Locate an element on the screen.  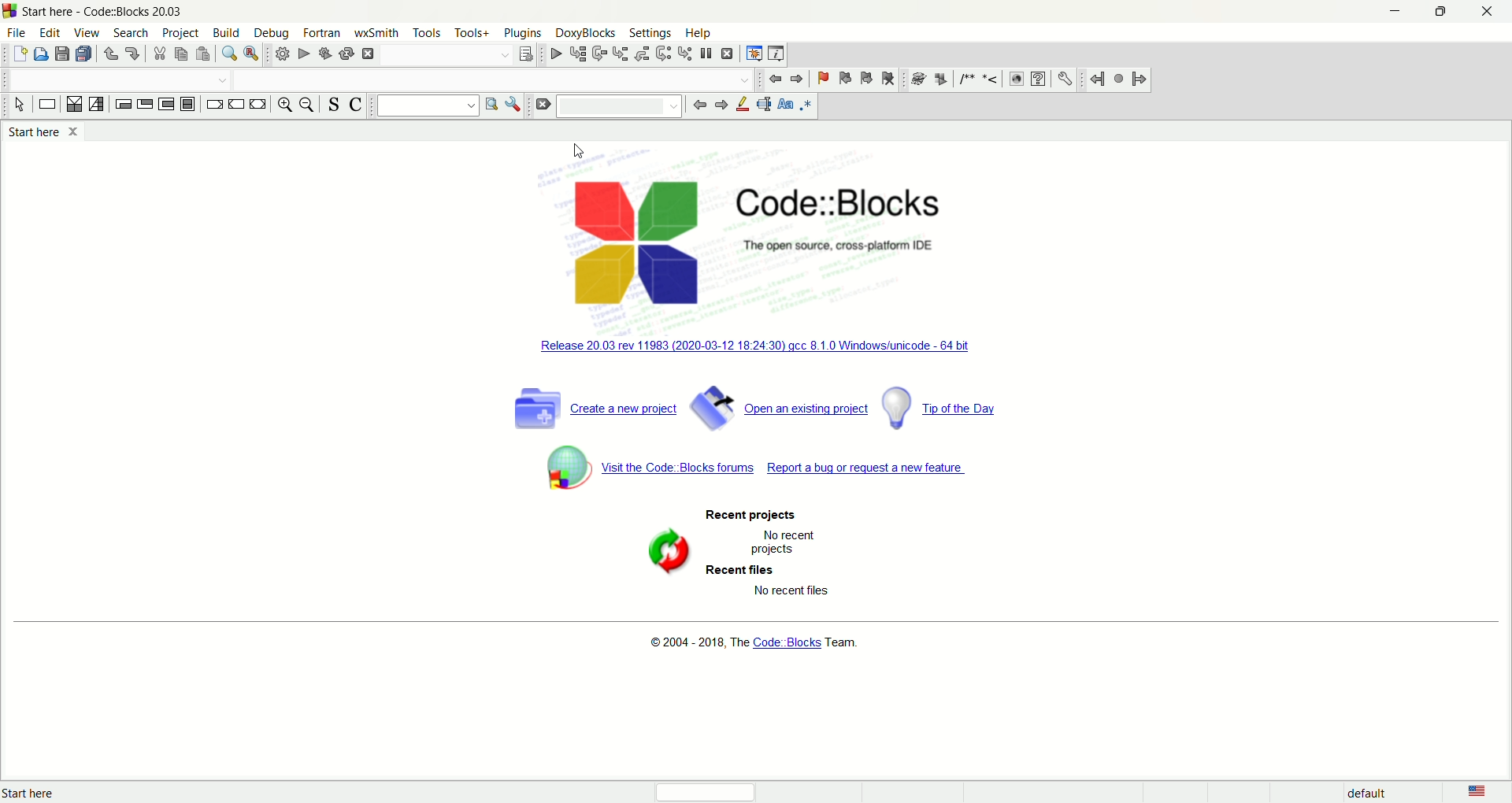
rebuild is located at coordinates (346, 54).